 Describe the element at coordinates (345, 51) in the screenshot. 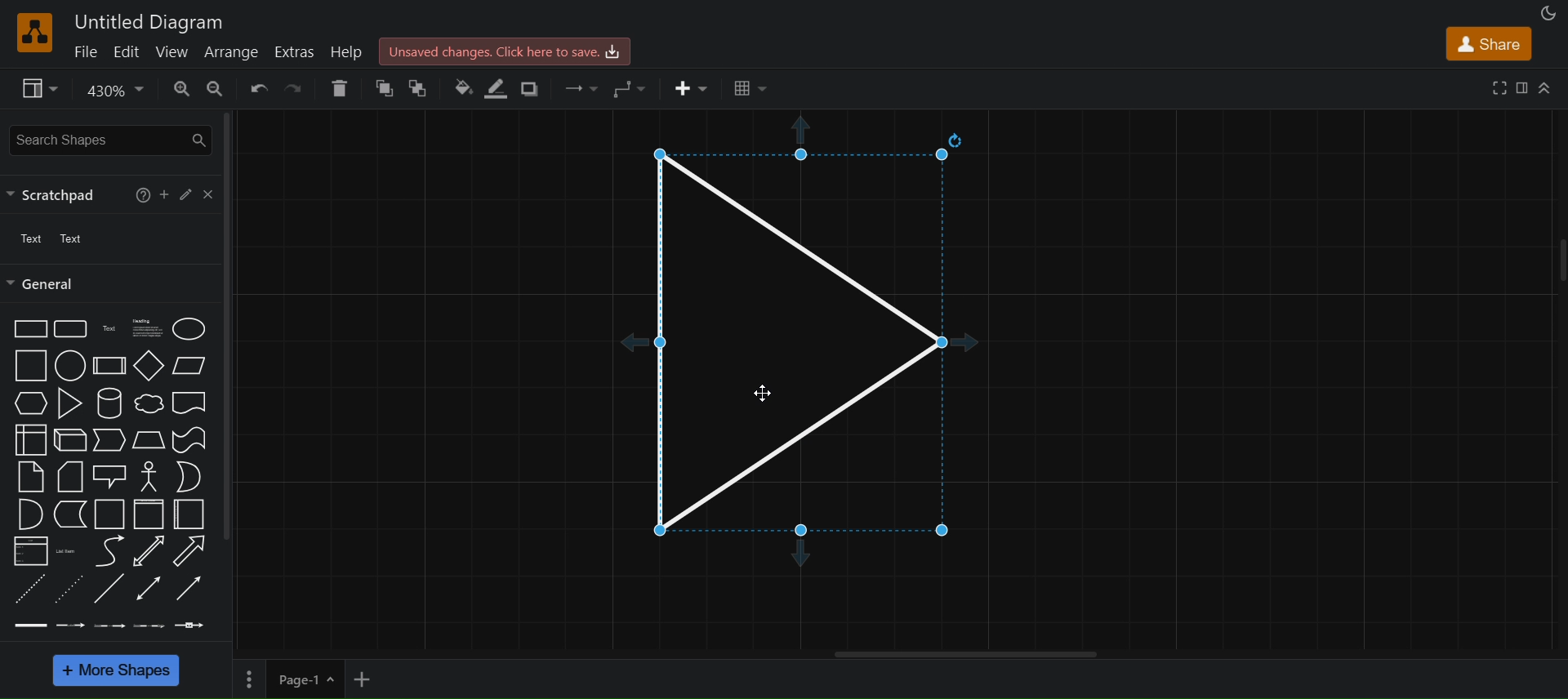

I see `help` at that location.